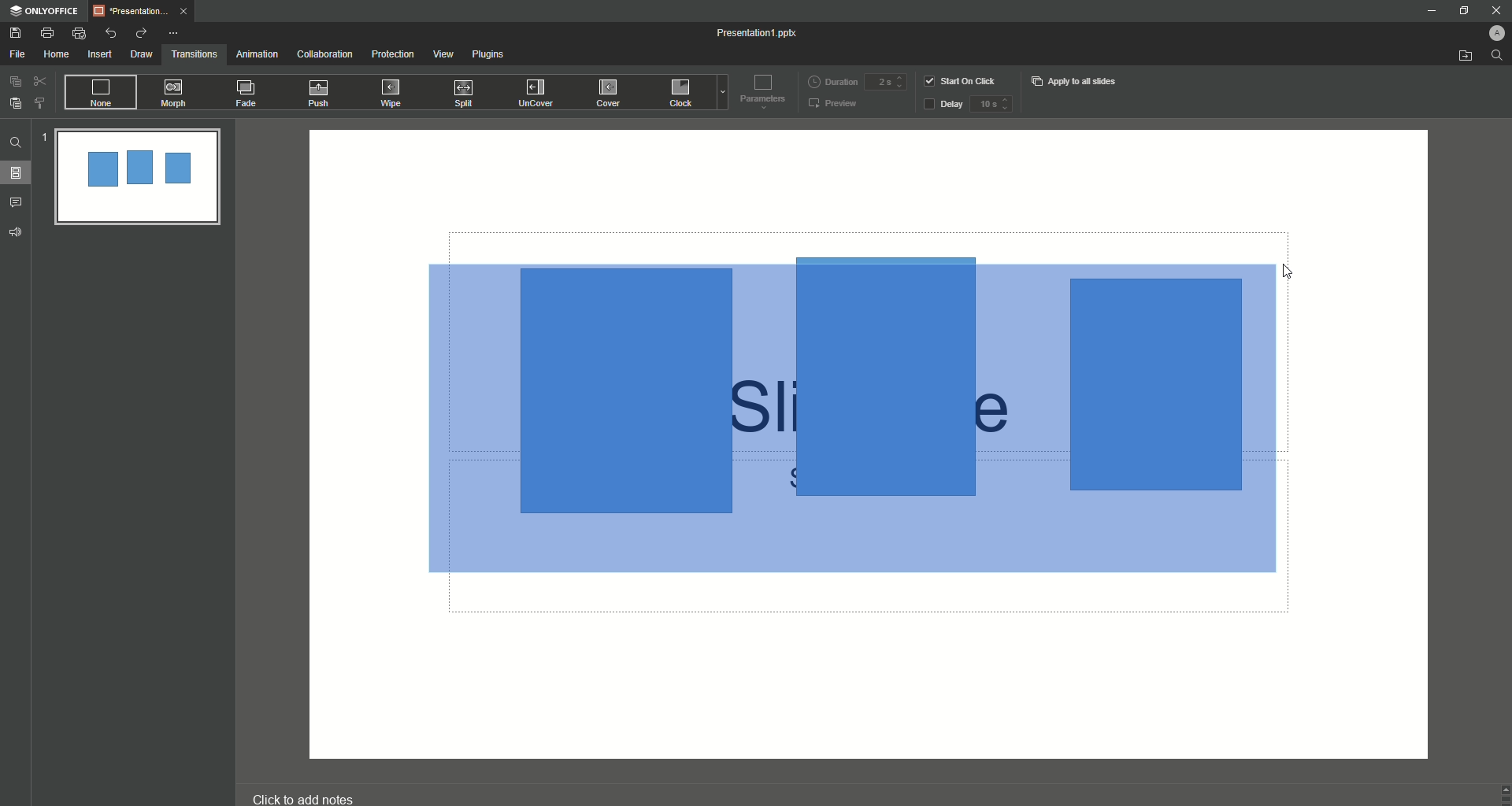 The width and height of the screenshot is (1512, 806). What do you see at coordinates (145, 11) in the screenshot?
I see `Tab 1` at bounding box center [145, 11].